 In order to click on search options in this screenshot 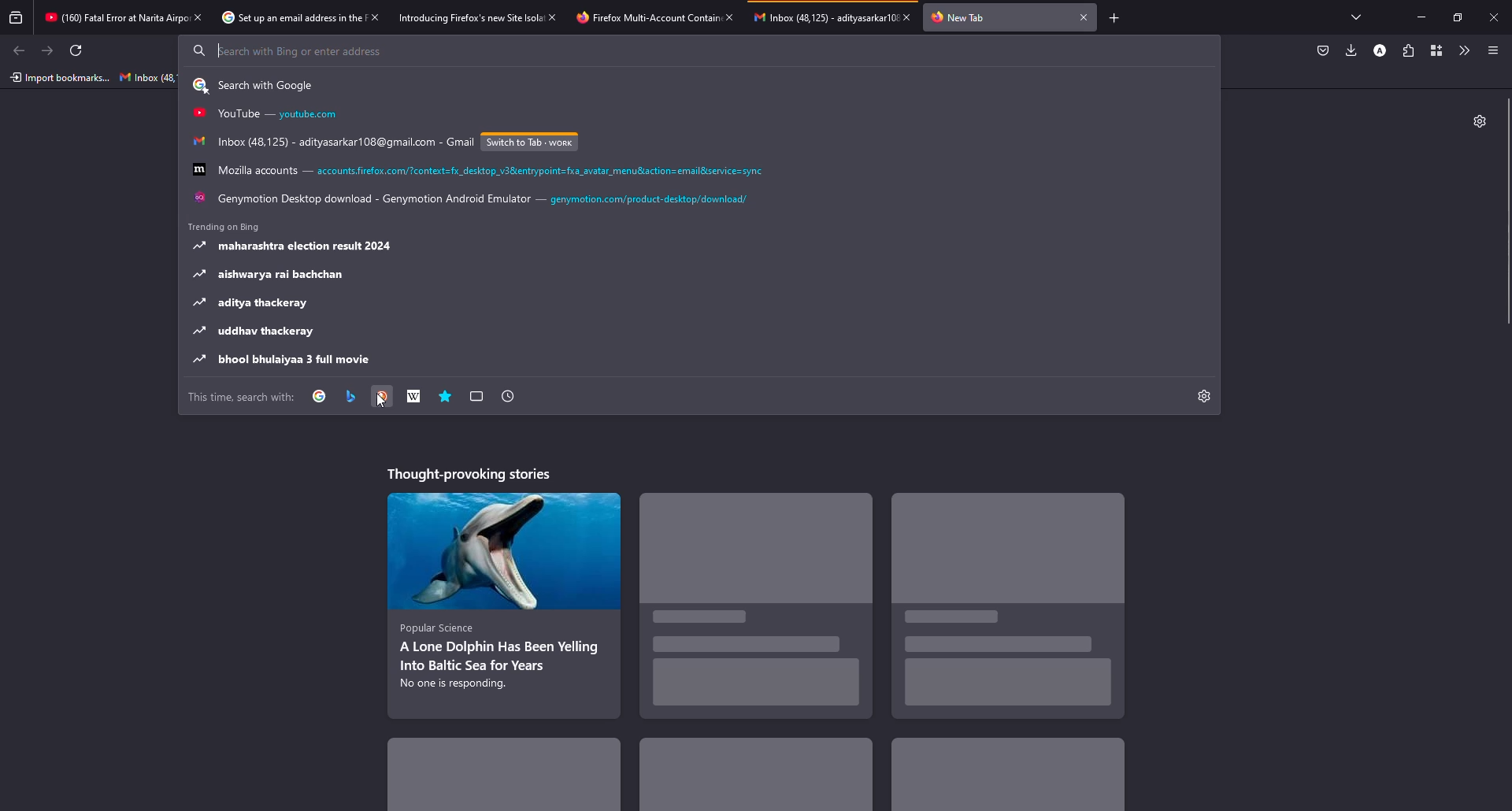, I will do `click(272, 275)`.